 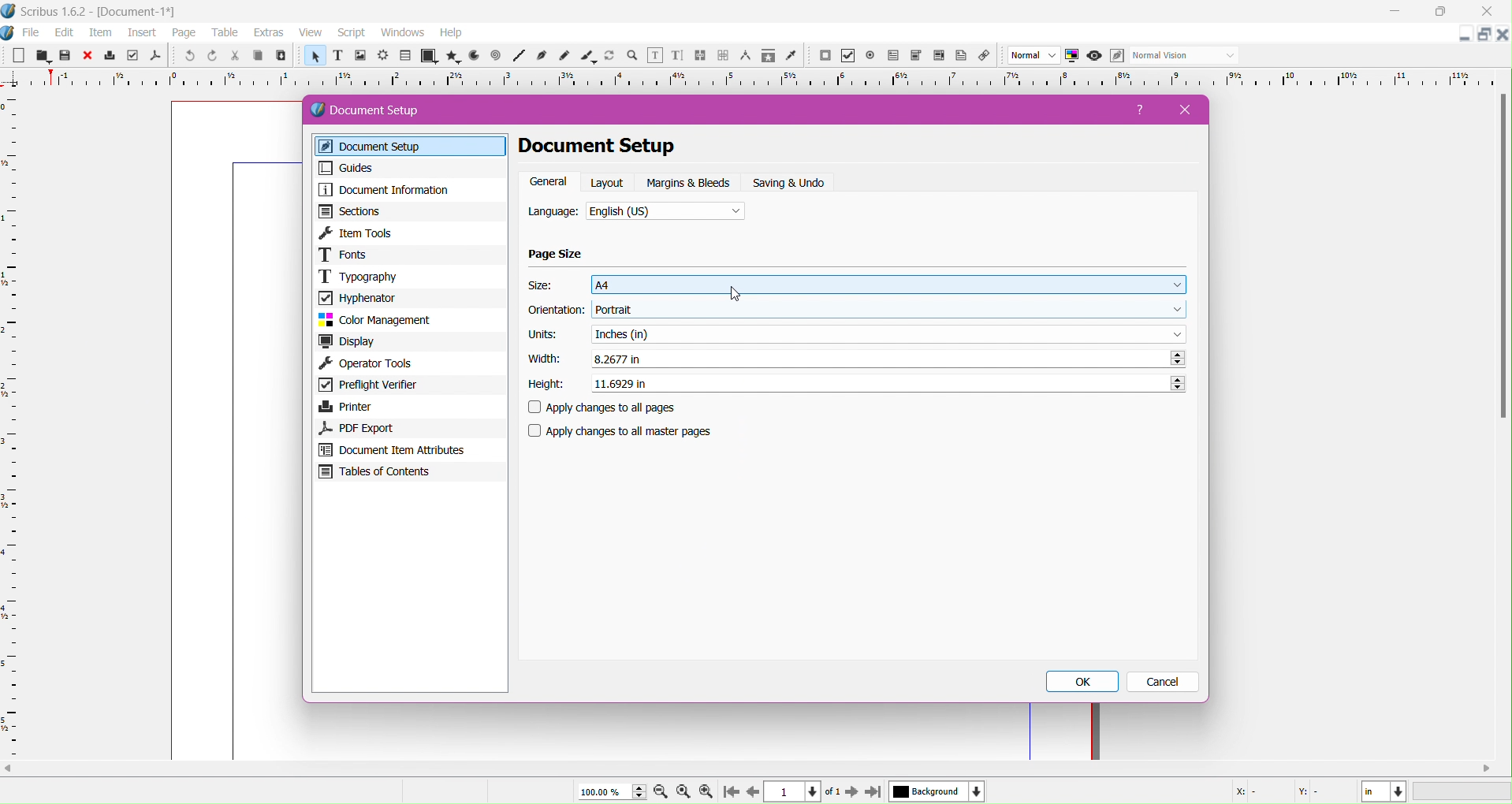 What do you see at coordinates (382, 56) in the screenshot?
I see `render frame` at bounding box center [382, 56].